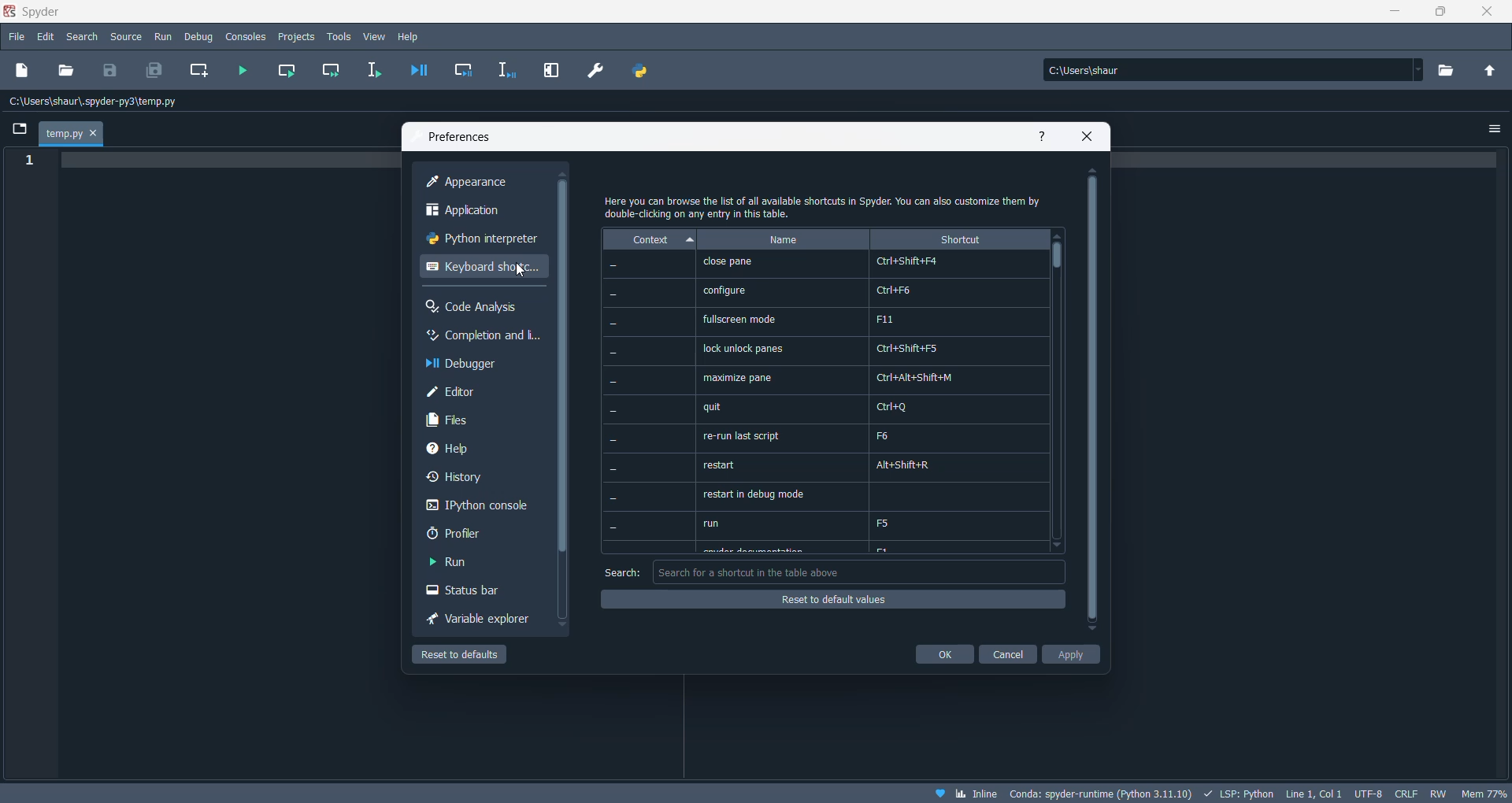  Describe the element at coordinates (480, 212) in the screenshot. I see `application` at that location.